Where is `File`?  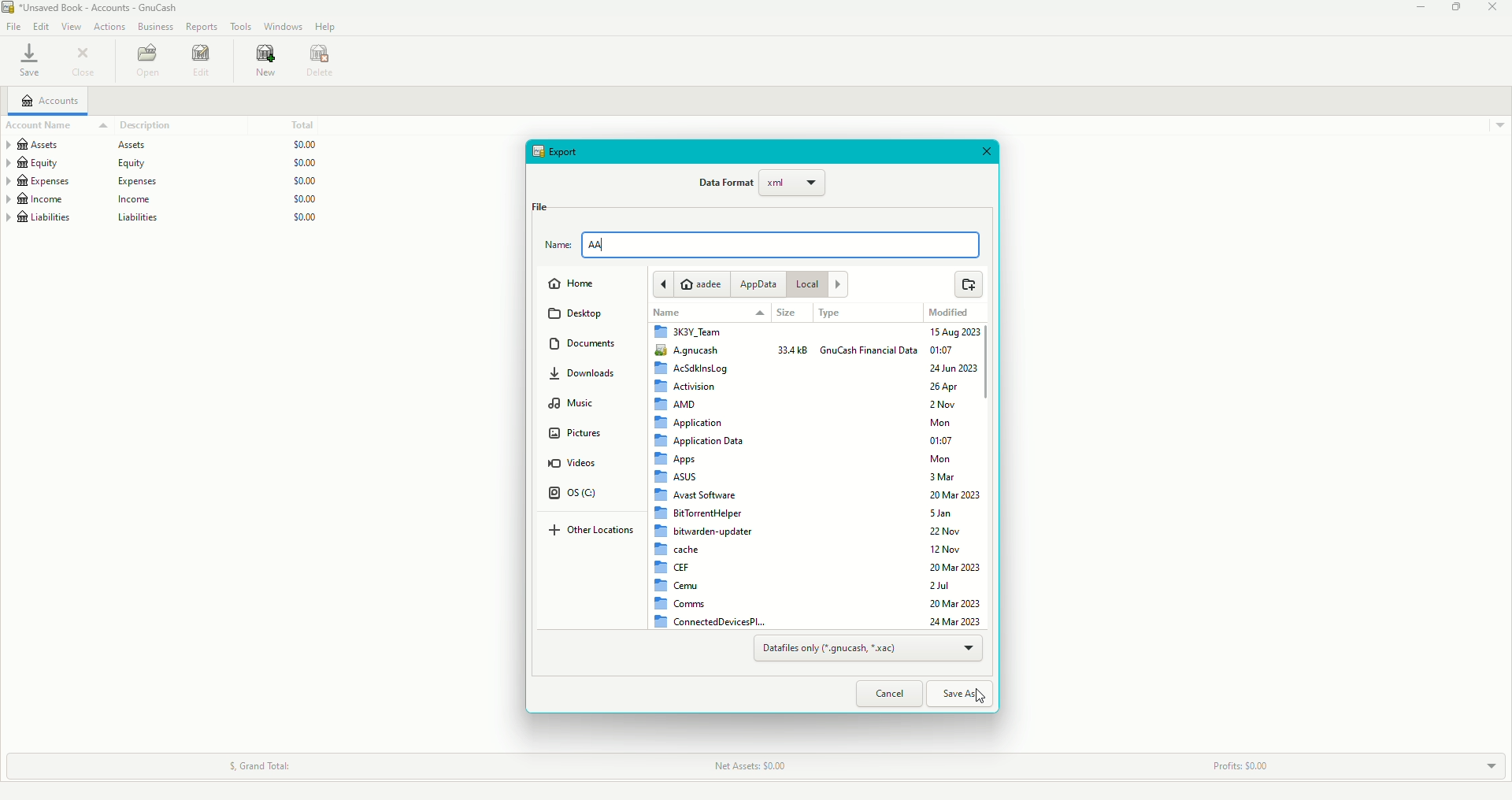
File is located at coordinates (539, 206).